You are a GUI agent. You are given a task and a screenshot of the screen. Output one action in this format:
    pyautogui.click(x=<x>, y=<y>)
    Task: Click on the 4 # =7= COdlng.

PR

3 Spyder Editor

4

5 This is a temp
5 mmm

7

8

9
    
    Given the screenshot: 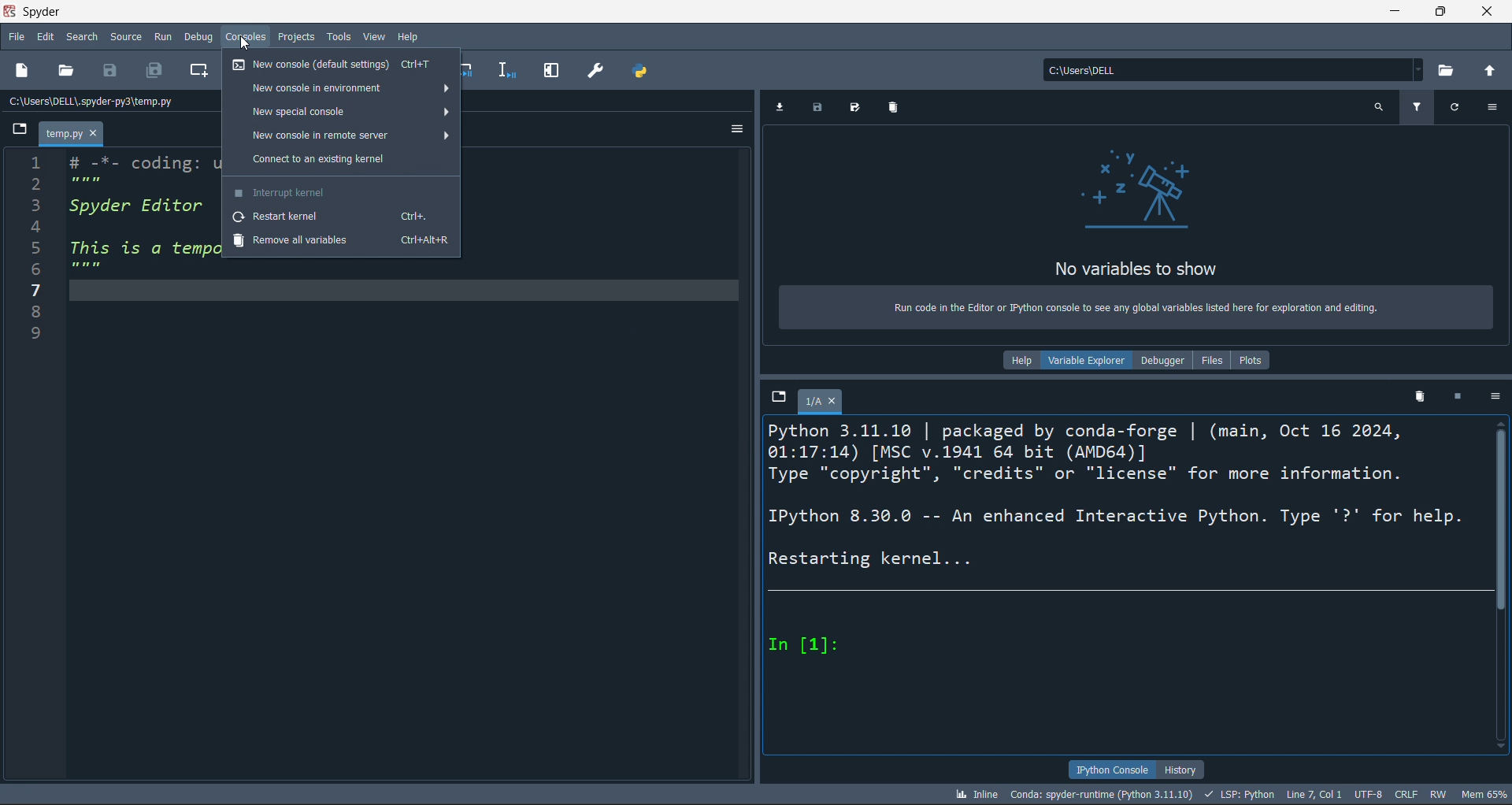 What is the action you would take?
    pyautogui.click(x=111, y=249)
    